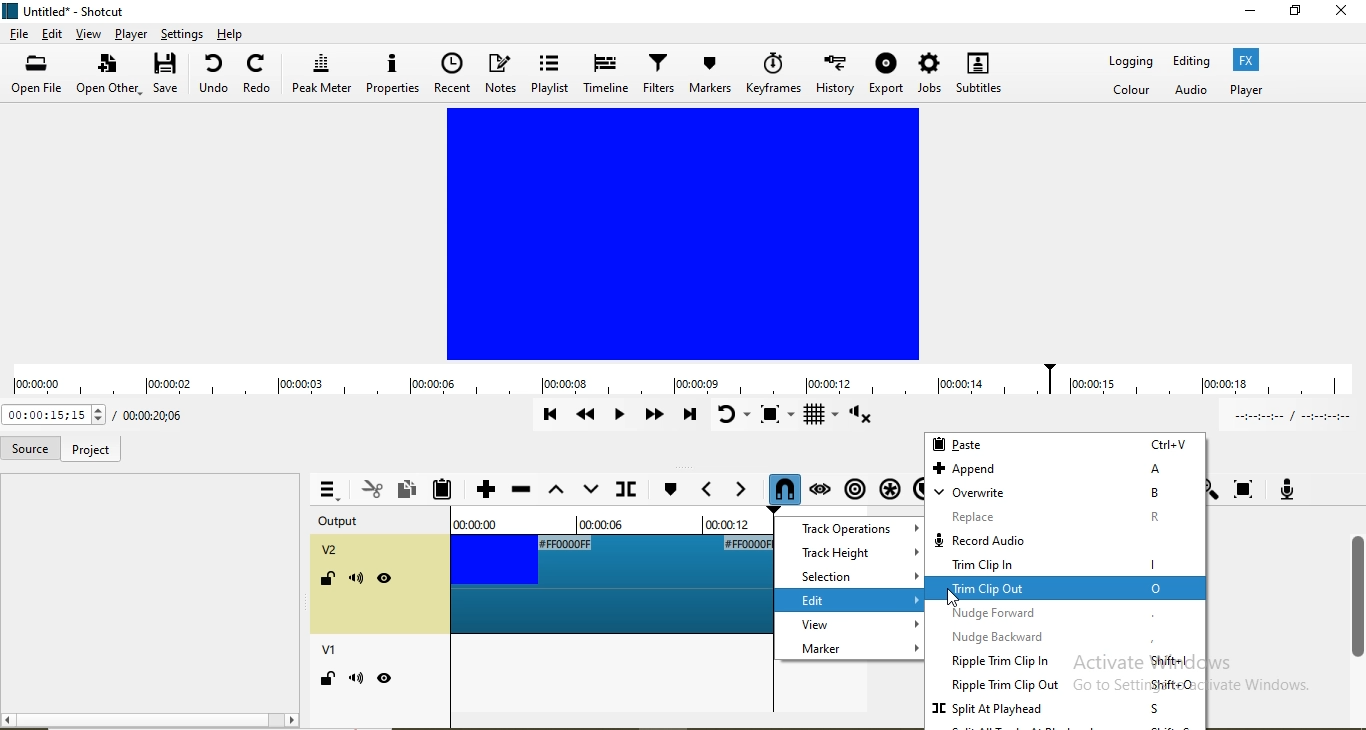 The width and height of the screenshot is (1366, 730). Describe the element at coordinates (1245, 489) in the screenshot. I see `Zoom timeline to fit` at that location.